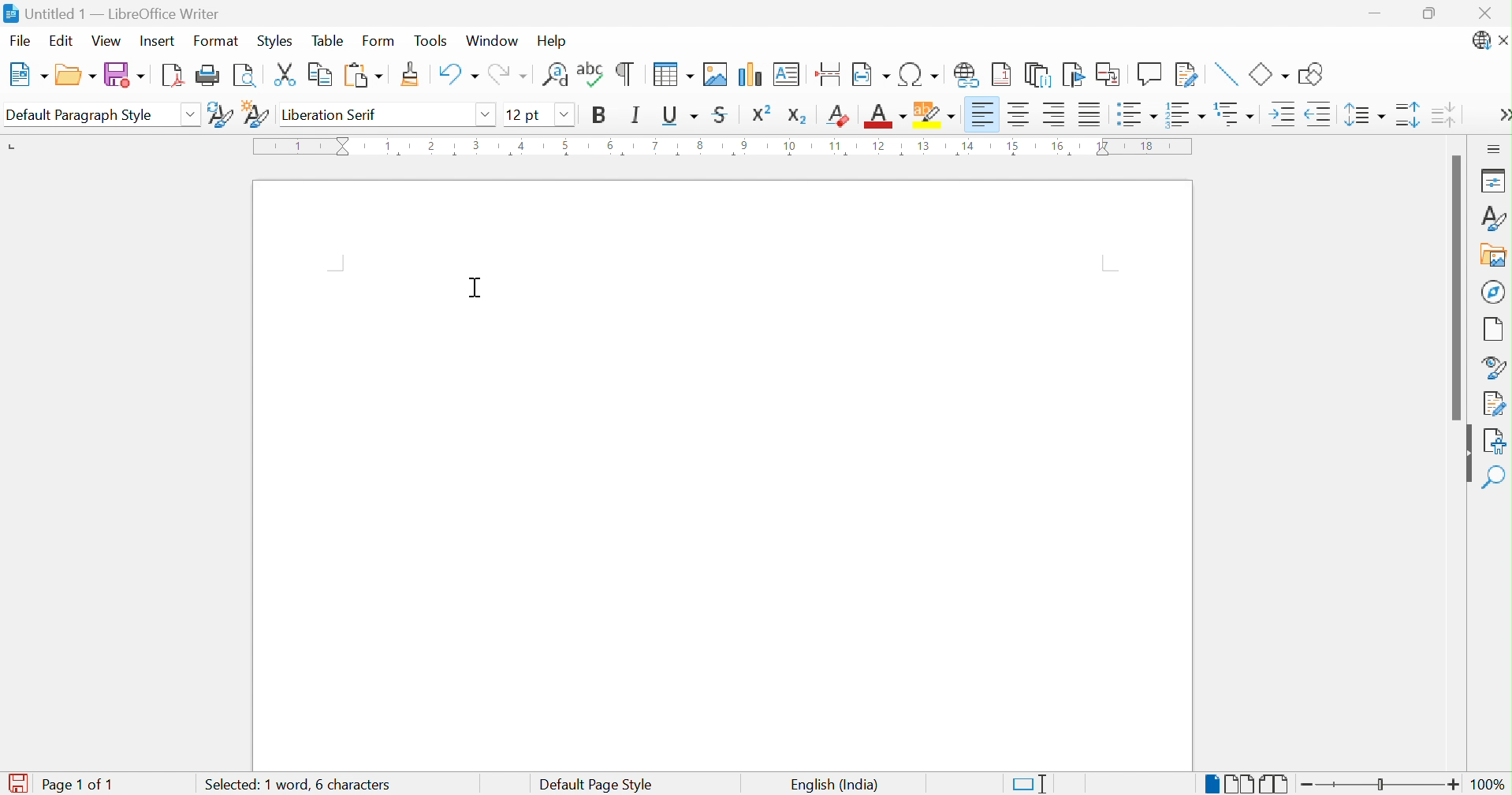 The image size is (1512, 795). I want to click on Insert Cross-reference, so click(1108, 74).